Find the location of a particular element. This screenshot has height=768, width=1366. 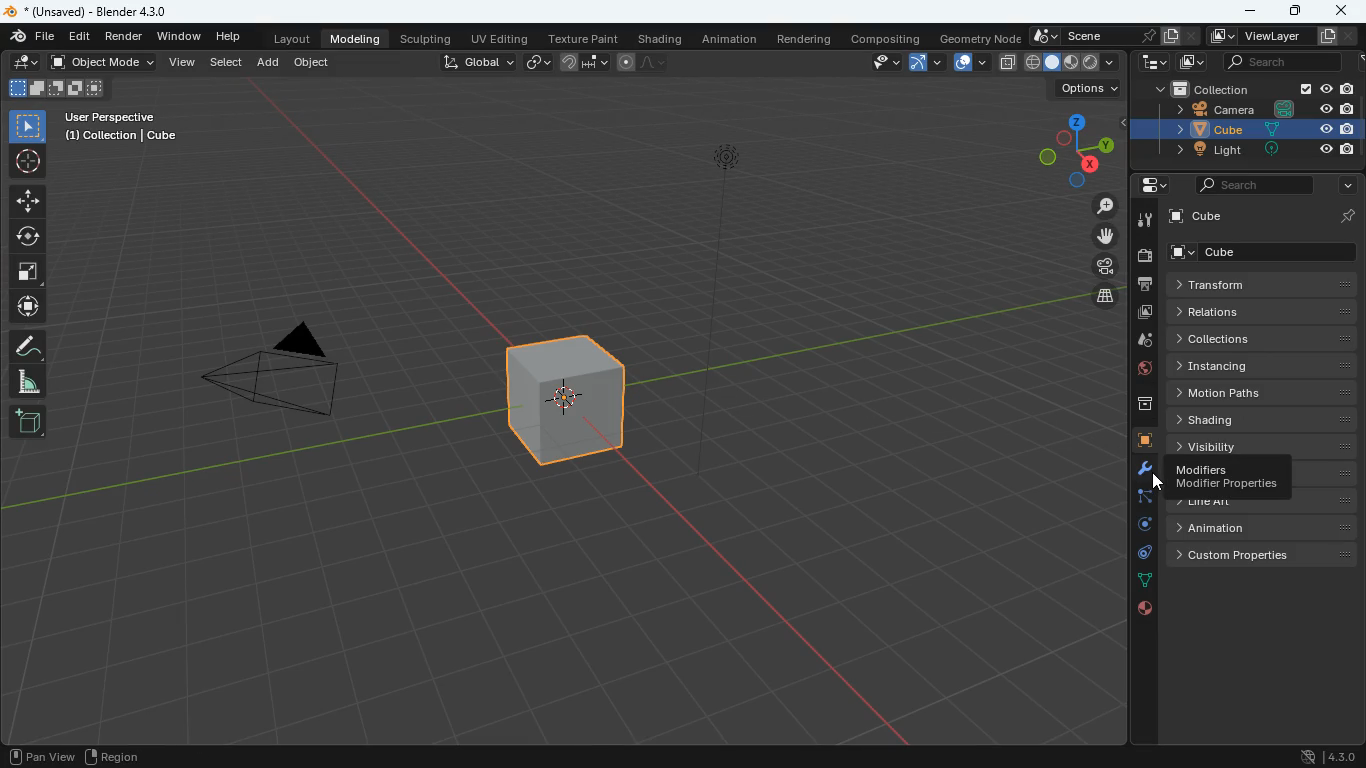

edit is located at coordinates (24, 61).